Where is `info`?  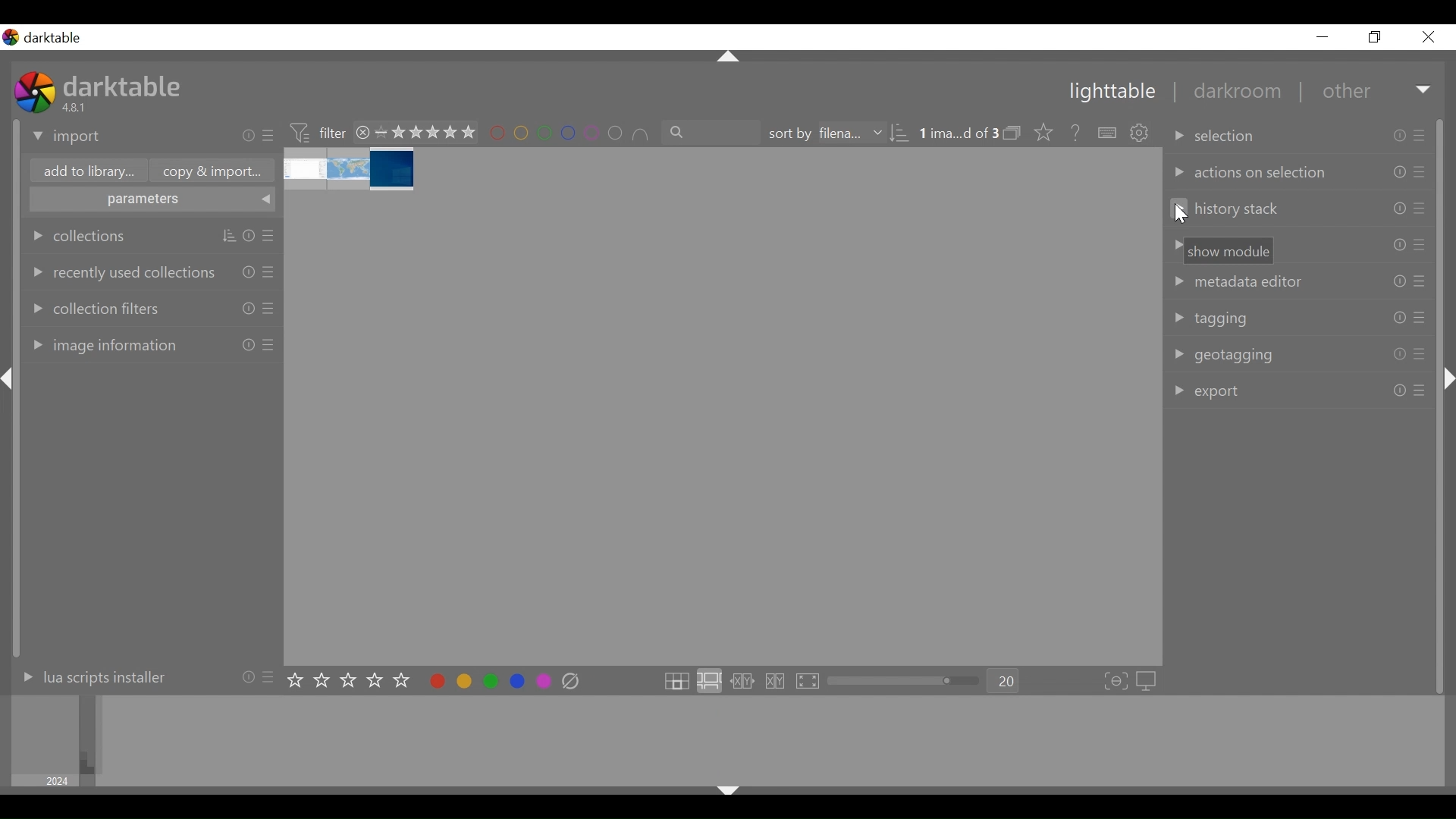
info is located at coordinates (1400, 281).